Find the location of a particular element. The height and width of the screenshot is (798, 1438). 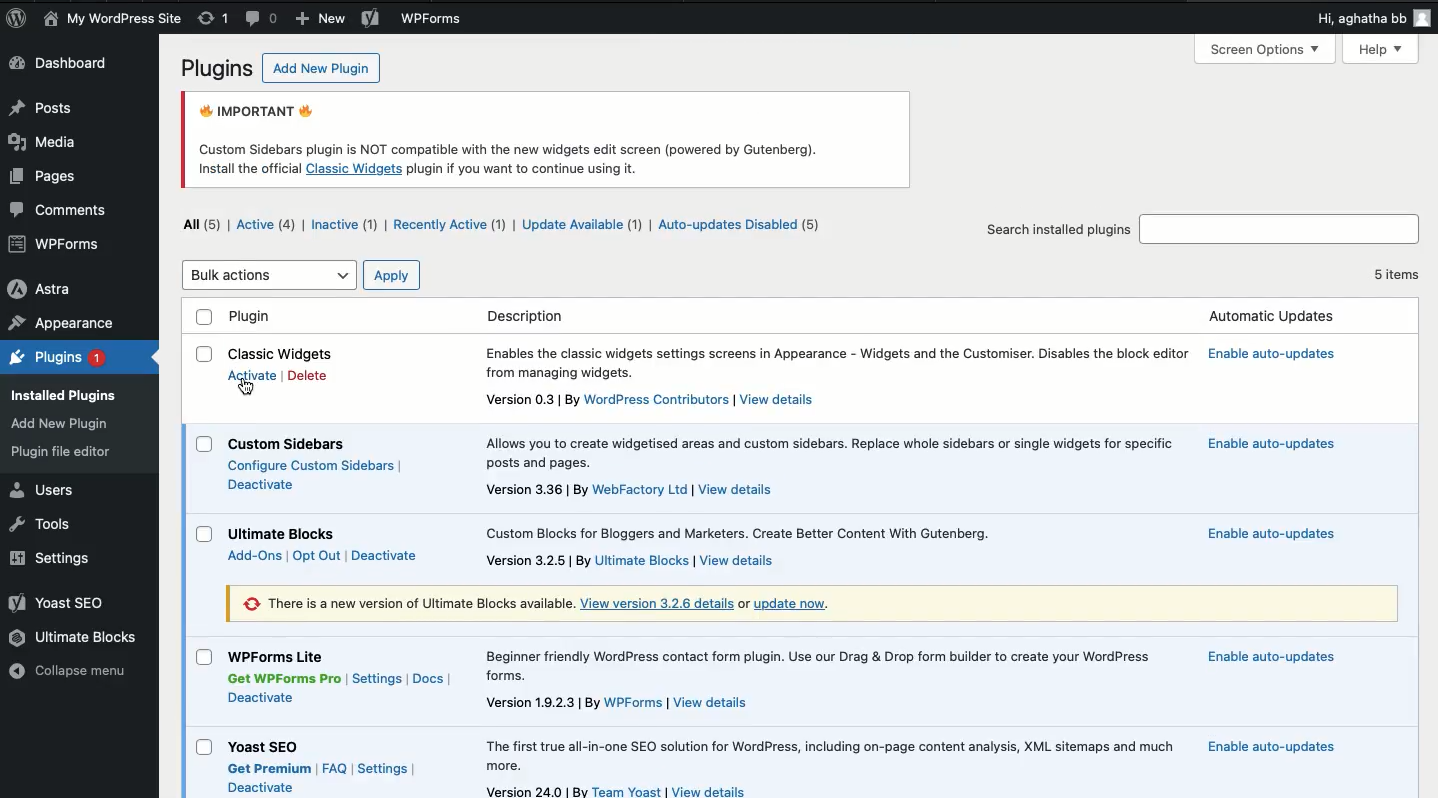

 is located at coordinates (292, 655).